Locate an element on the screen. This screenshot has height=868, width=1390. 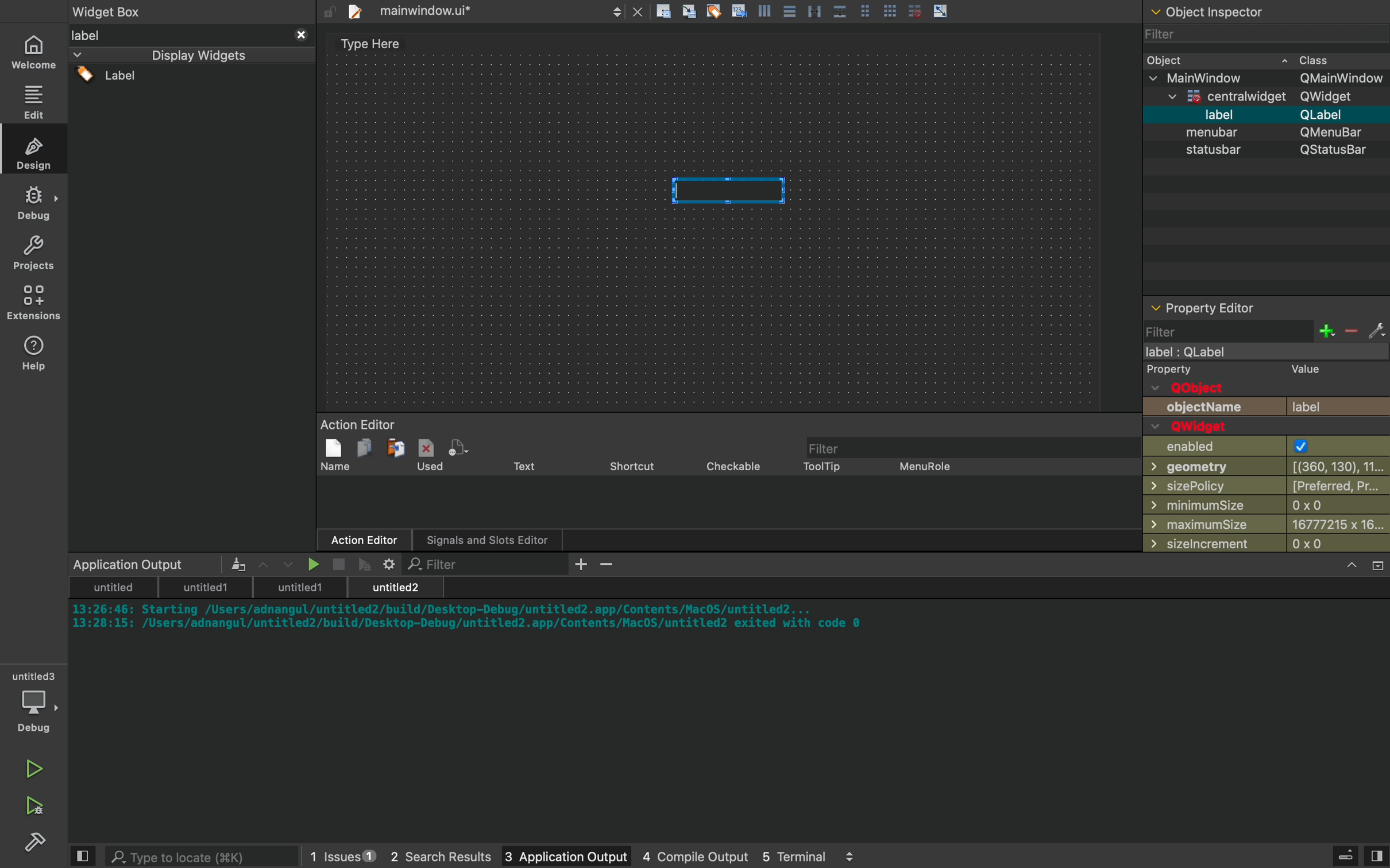
 is located at coordinates (1269, 79).